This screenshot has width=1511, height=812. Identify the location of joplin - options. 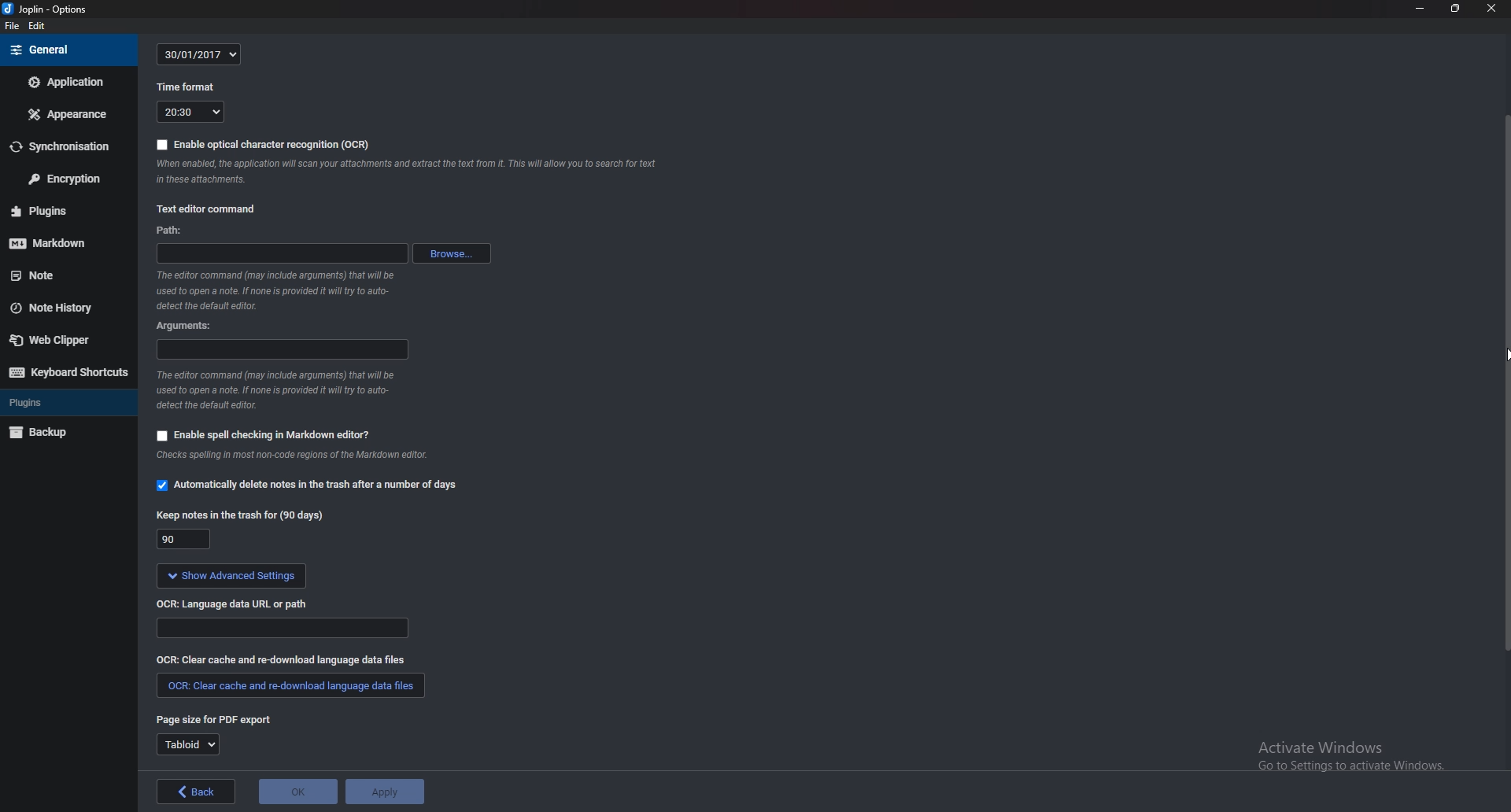
(50, 10).